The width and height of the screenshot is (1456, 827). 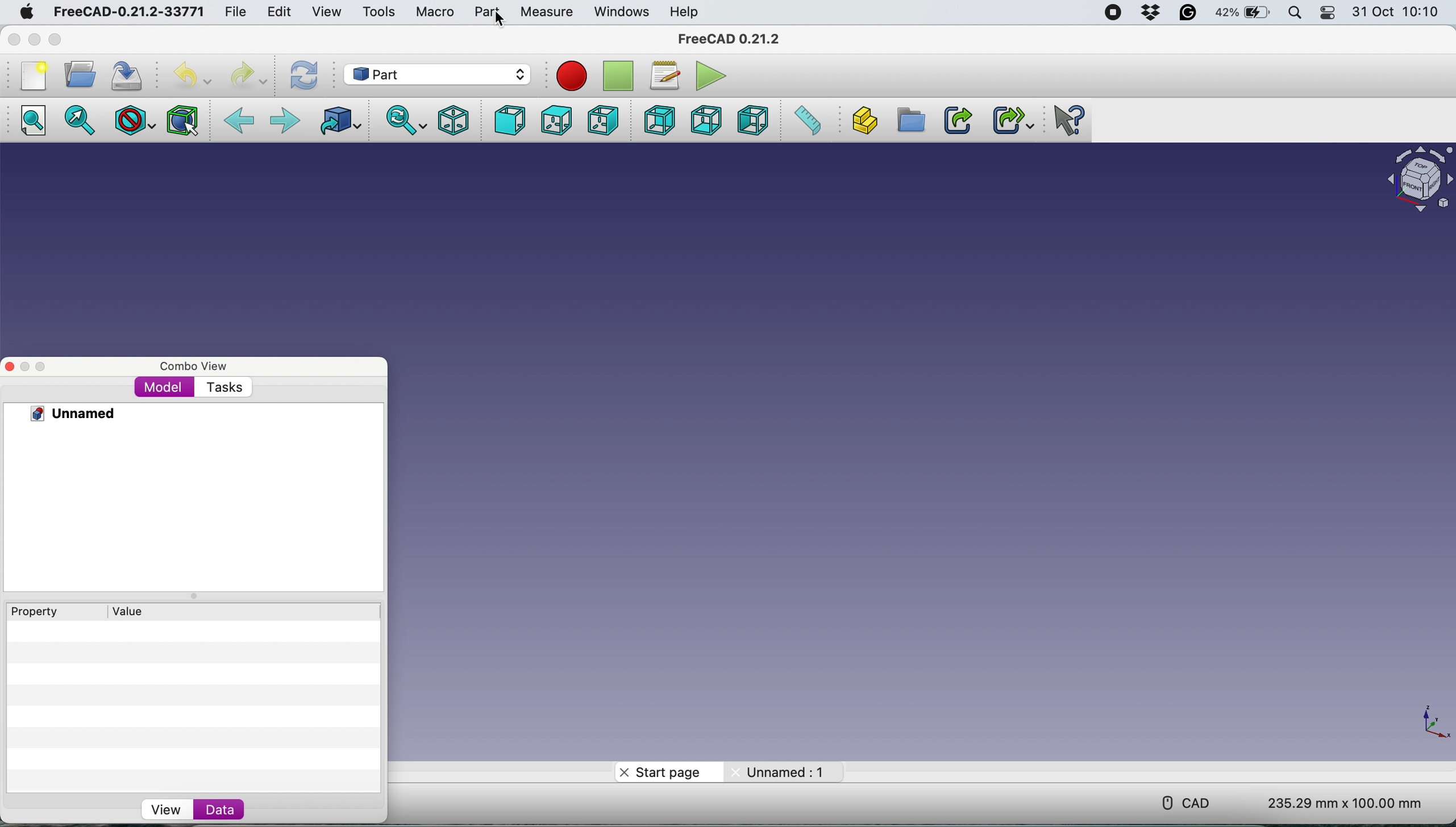 I want to click on Sync view, so click(x=406, y=118).